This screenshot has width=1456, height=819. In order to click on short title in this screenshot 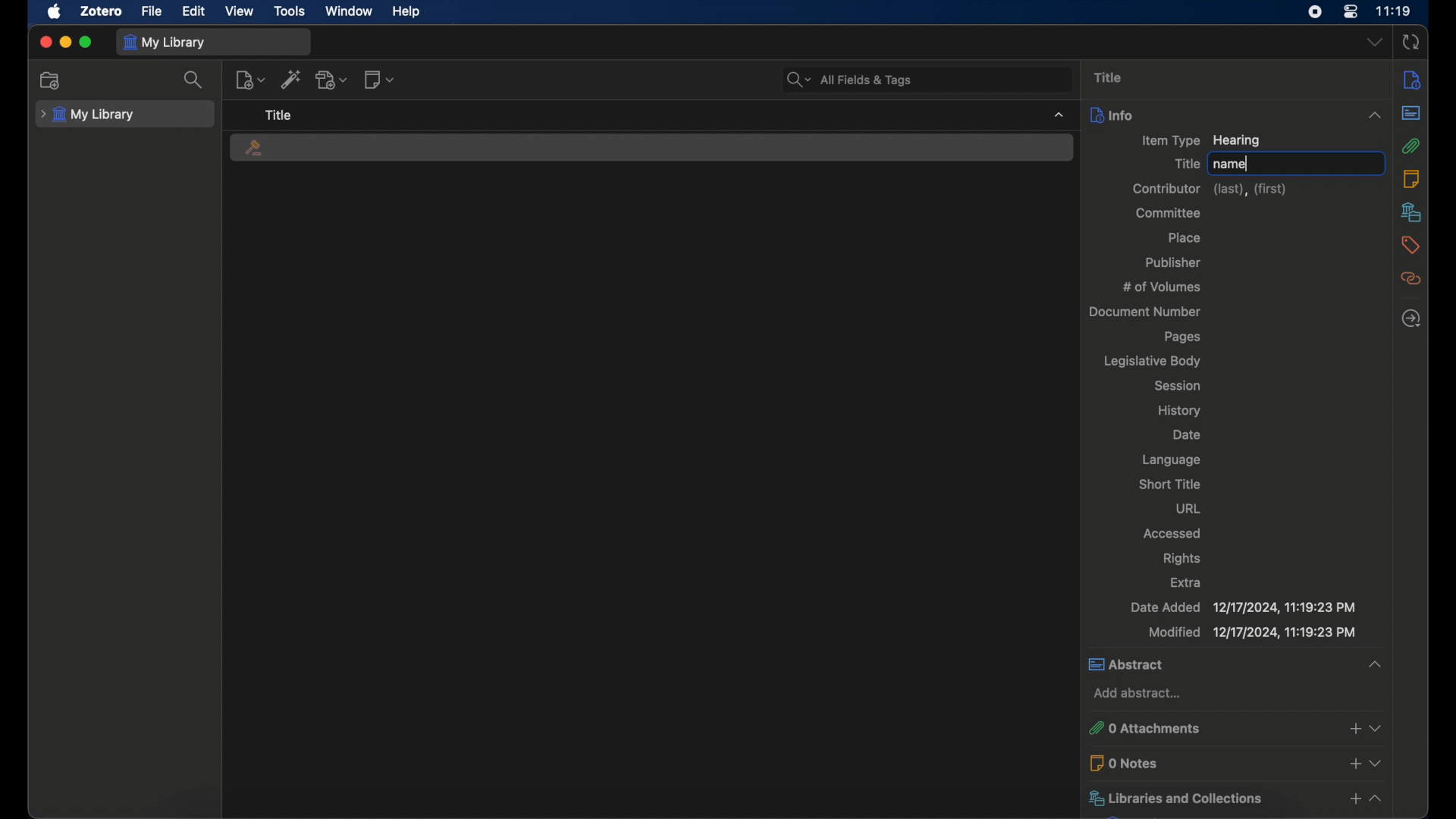, I will do `click(1170, 484)`.